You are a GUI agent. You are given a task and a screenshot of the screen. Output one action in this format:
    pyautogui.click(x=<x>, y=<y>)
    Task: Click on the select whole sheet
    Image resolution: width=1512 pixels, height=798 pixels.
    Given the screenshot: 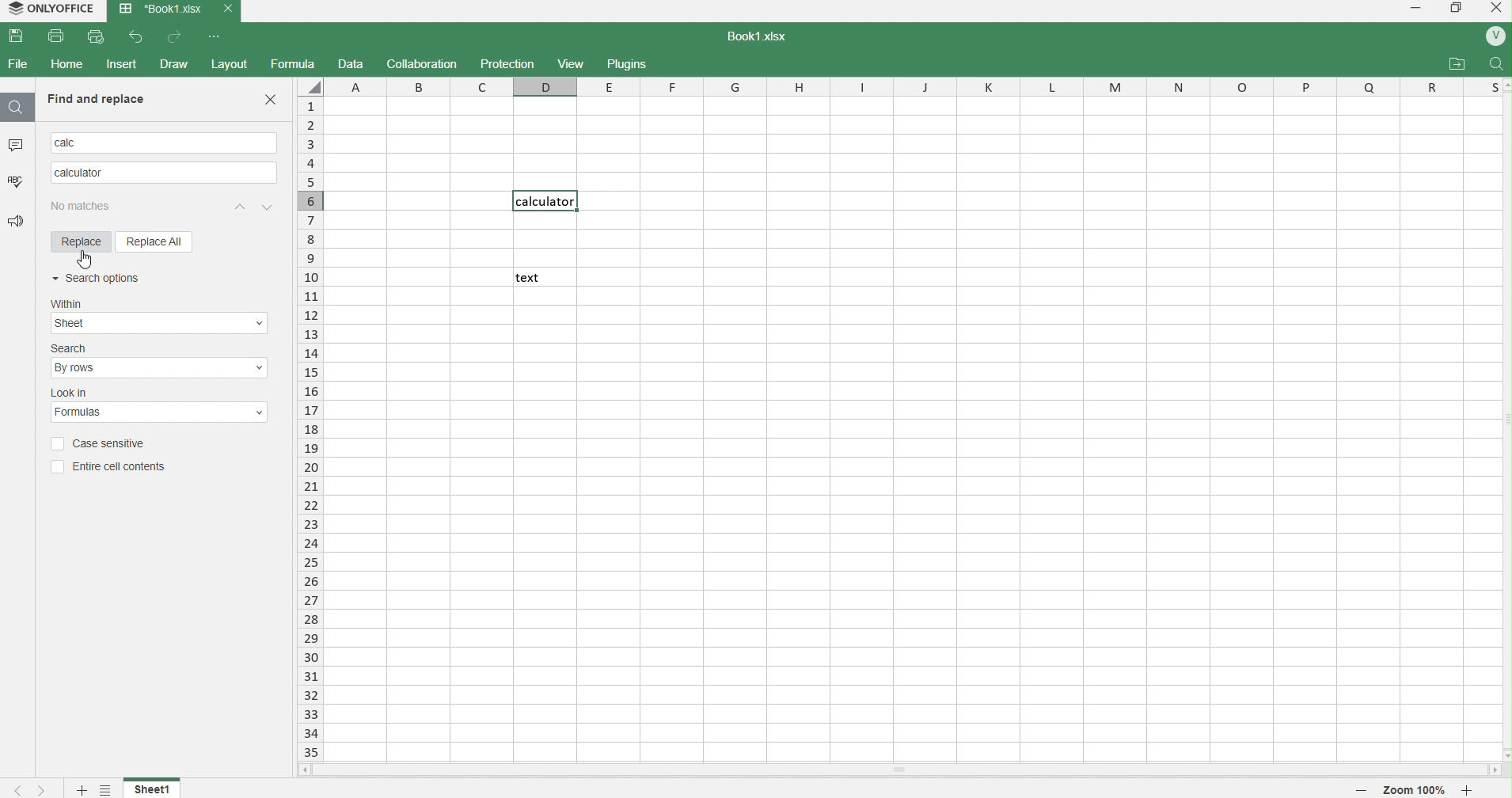 What is the action you would take?
    pyautogui.click(x=313, y=85)
    